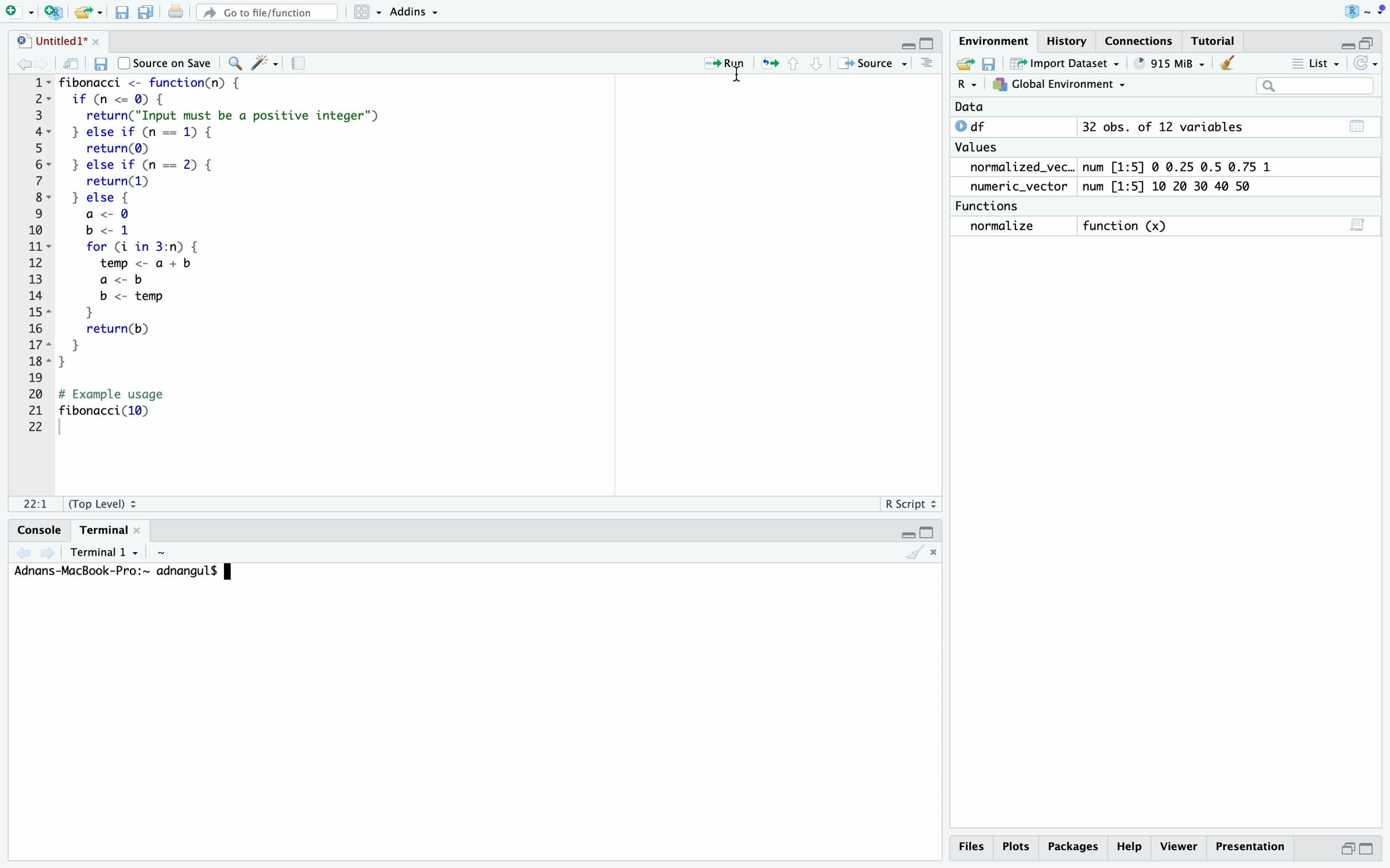 Image resolution: width=1390 pixels, height=868 pixels. I want to click on show previous terminal, so click(18, 555).